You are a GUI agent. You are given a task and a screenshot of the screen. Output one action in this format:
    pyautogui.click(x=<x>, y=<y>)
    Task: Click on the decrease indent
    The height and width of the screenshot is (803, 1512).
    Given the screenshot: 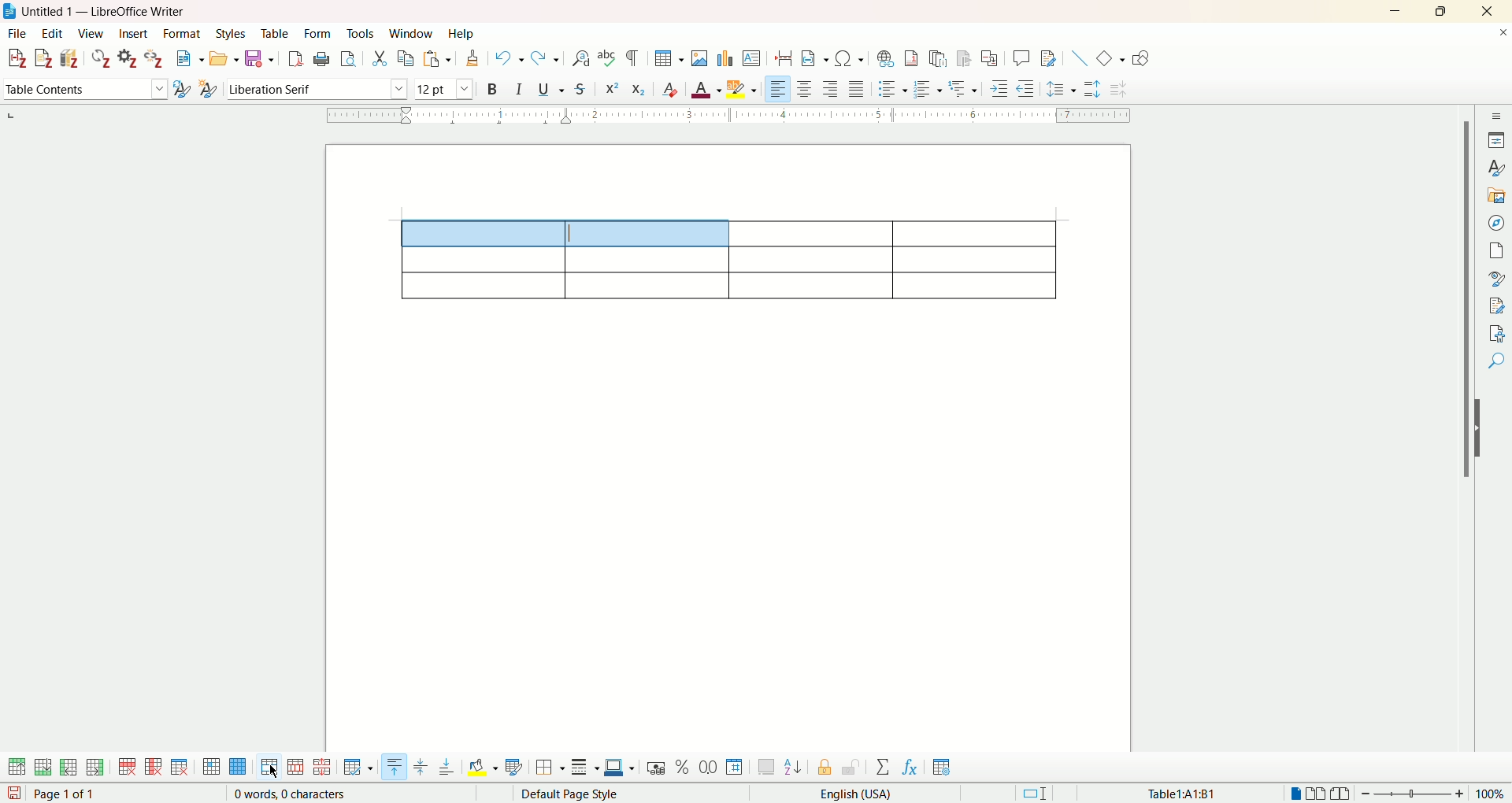 What is the action you would take?
    pyautogui.click(x=1027, y=91)
    